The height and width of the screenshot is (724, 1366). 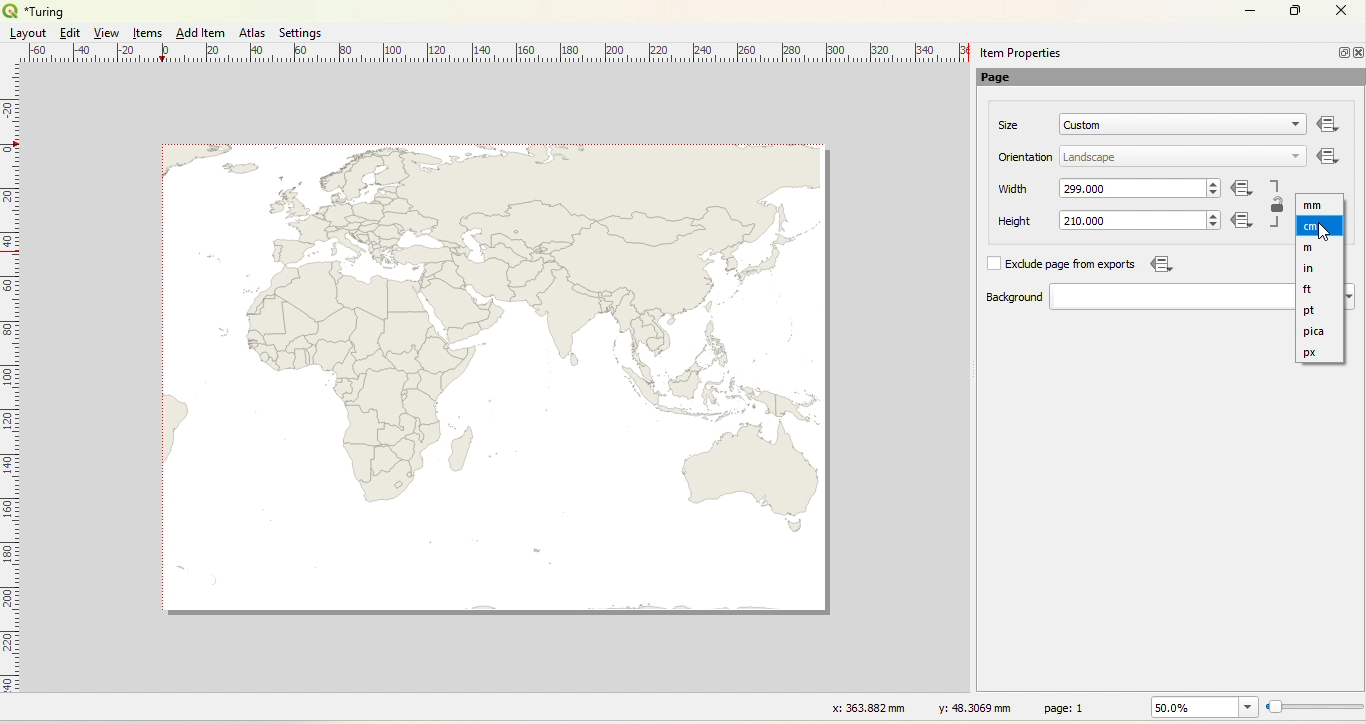 I want to click on dropdown, so click(x=1291, y=126).